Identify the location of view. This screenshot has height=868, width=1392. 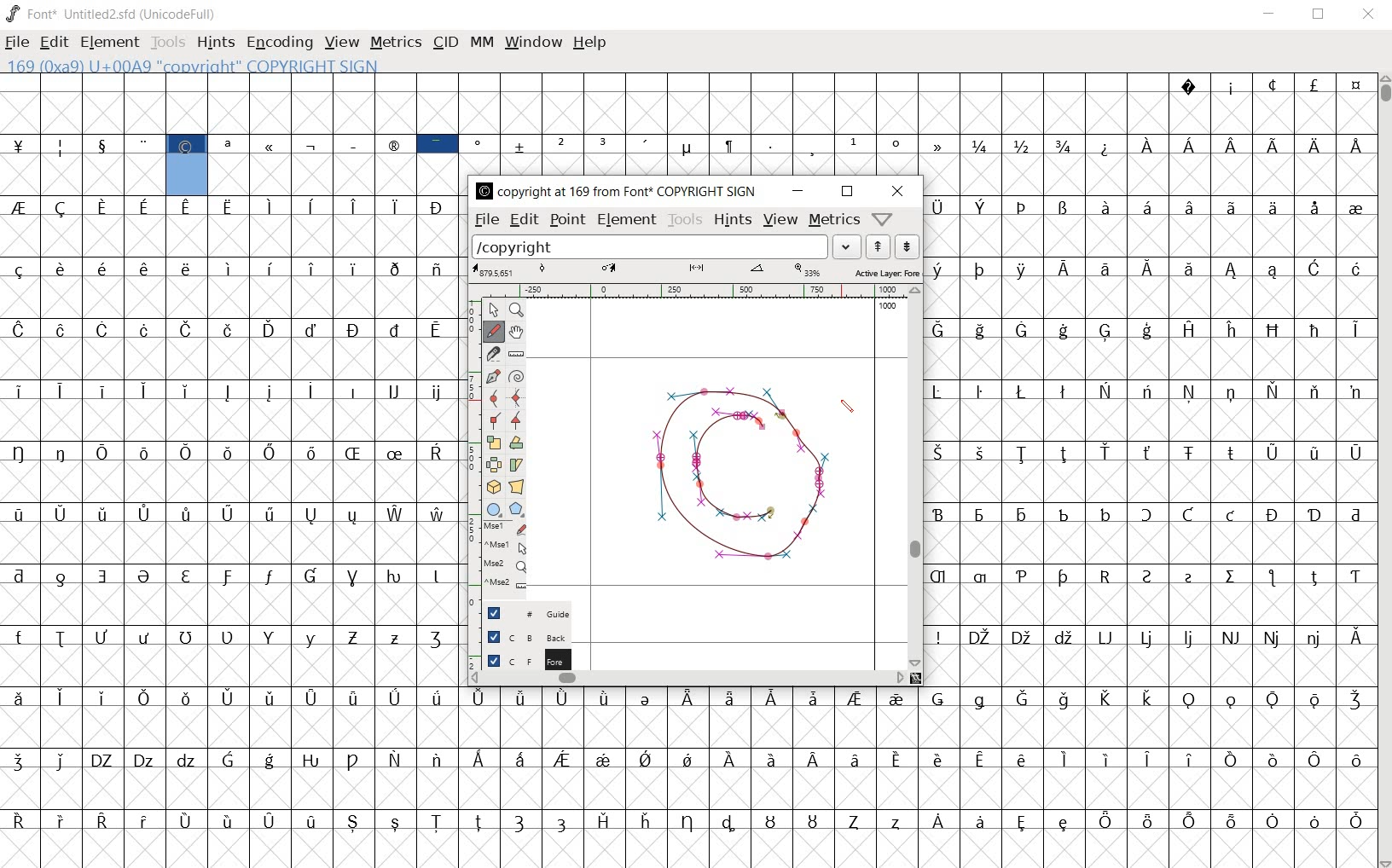
(342, 43).